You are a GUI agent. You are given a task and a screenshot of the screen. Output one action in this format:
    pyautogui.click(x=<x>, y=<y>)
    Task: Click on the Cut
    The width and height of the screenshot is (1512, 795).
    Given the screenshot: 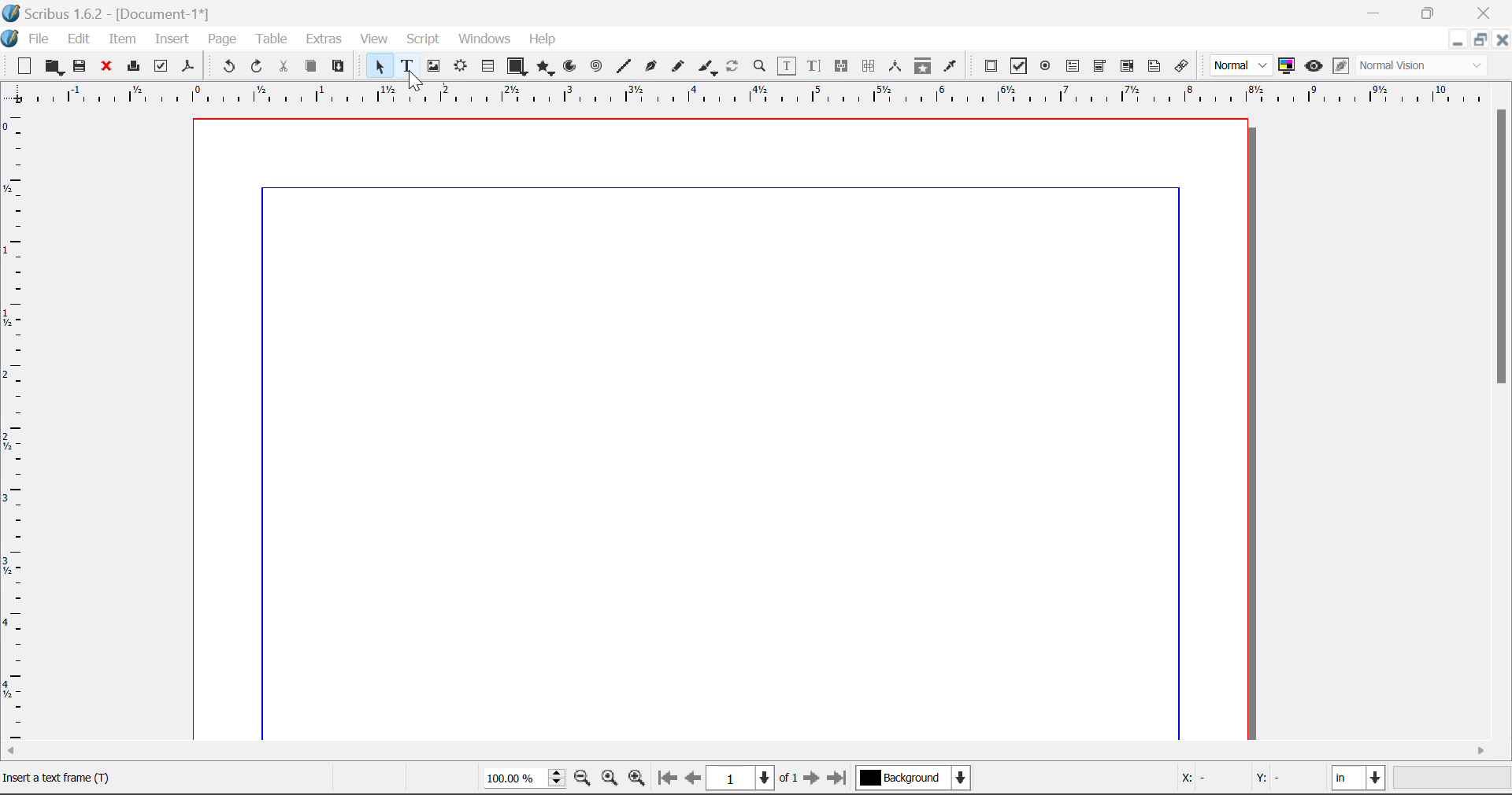 What is the action you would take?
    pyautogui.click(x=285, y=66)
    